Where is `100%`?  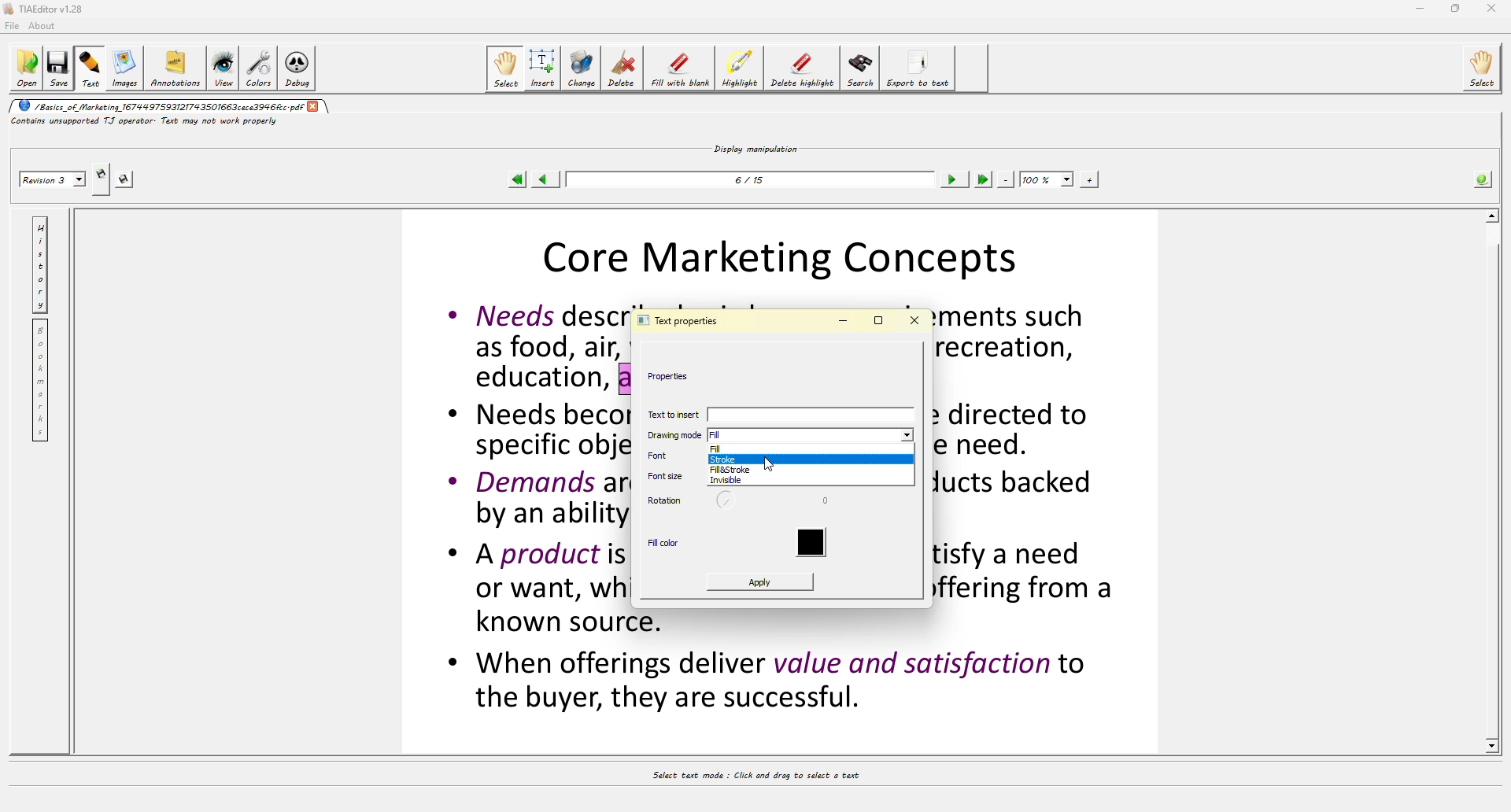
100% is located at coordinates (1046, 179).